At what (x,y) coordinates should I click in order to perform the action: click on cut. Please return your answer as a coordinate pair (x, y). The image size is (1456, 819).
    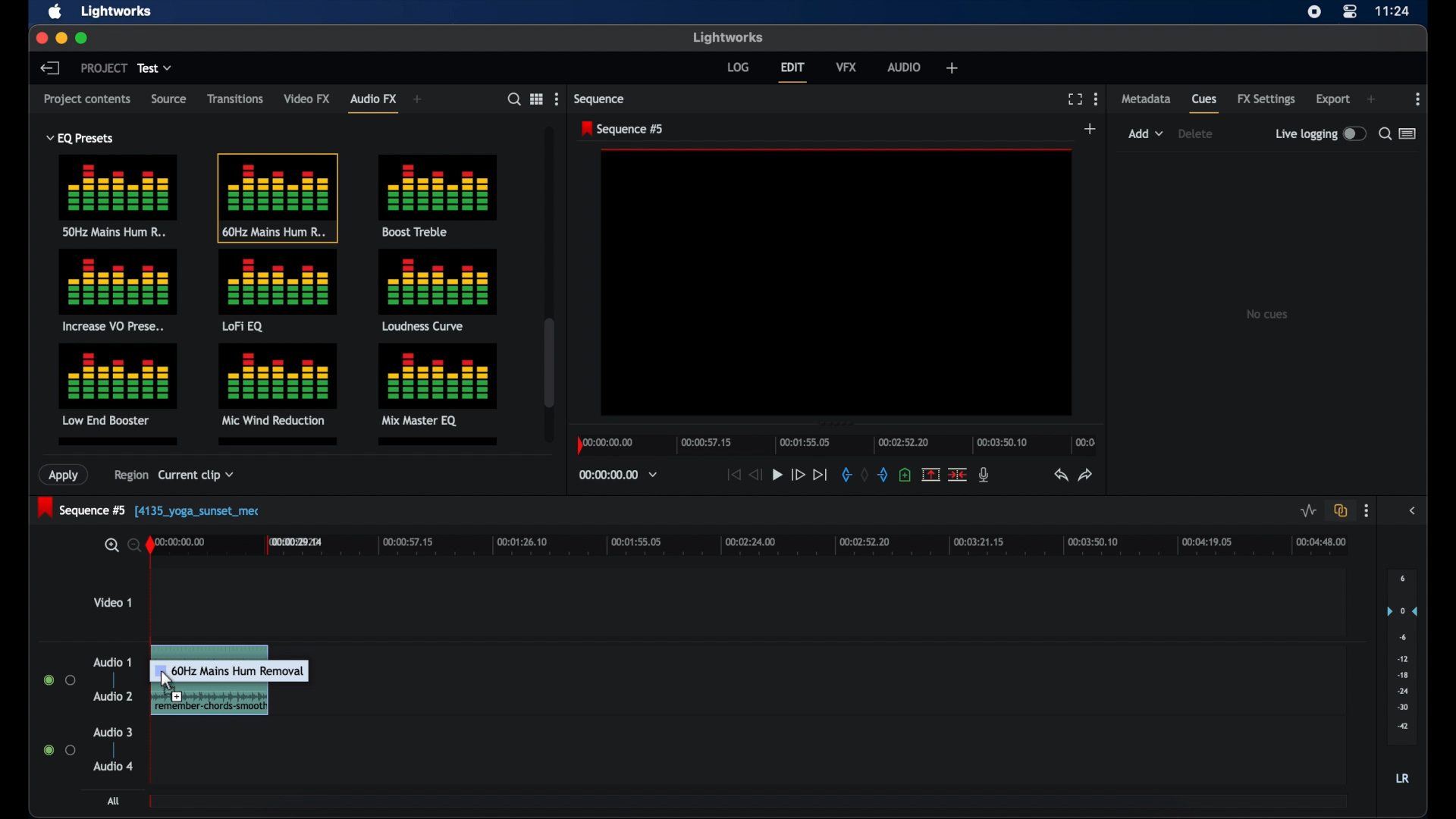
    Looking at the image, I should click on (957, 475).